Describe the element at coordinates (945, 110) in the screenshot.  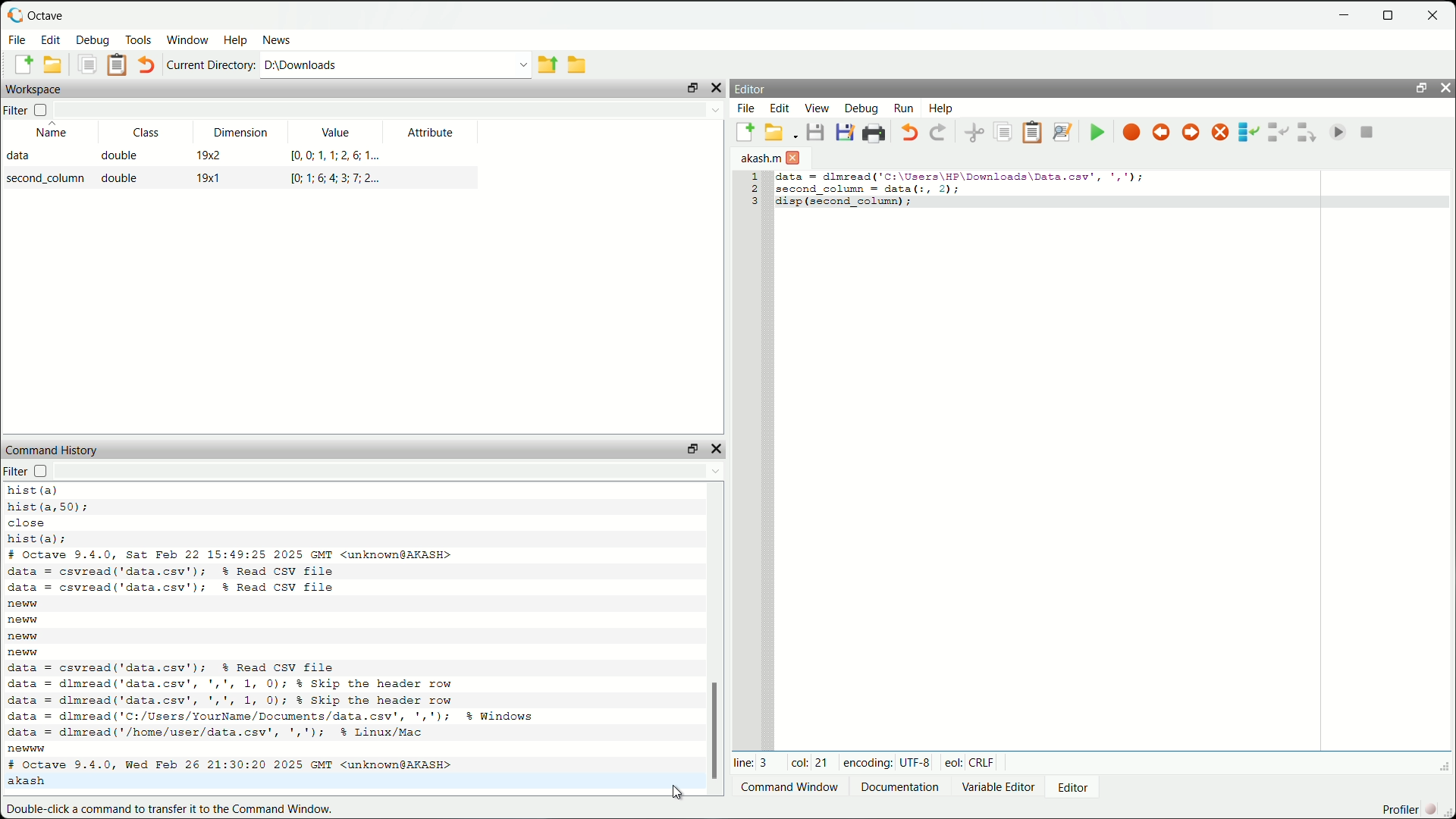
I see `help` at that location.